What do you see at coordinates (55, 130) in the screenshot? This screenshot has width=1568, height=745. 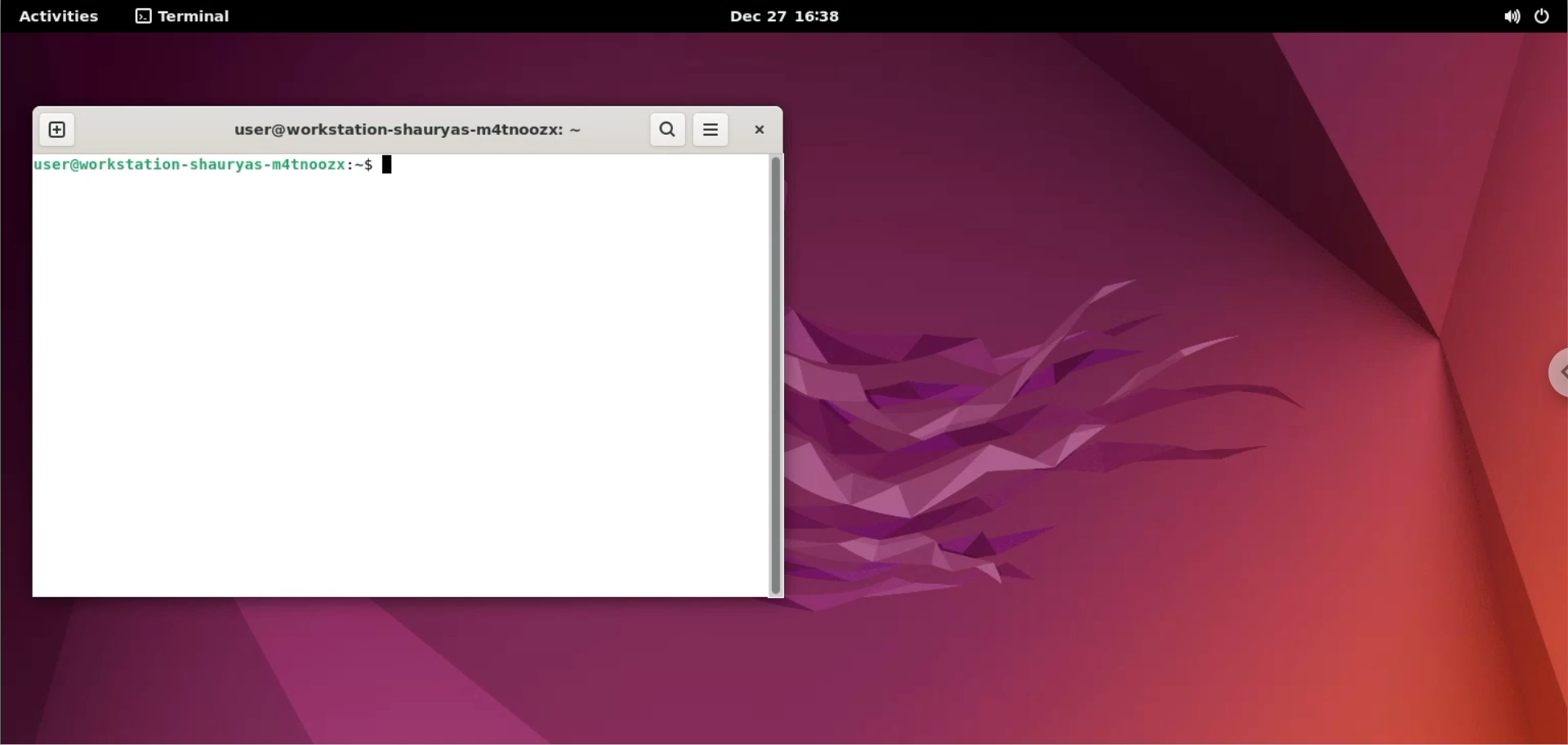 I see `new tab` at bounding box center [55, 130].